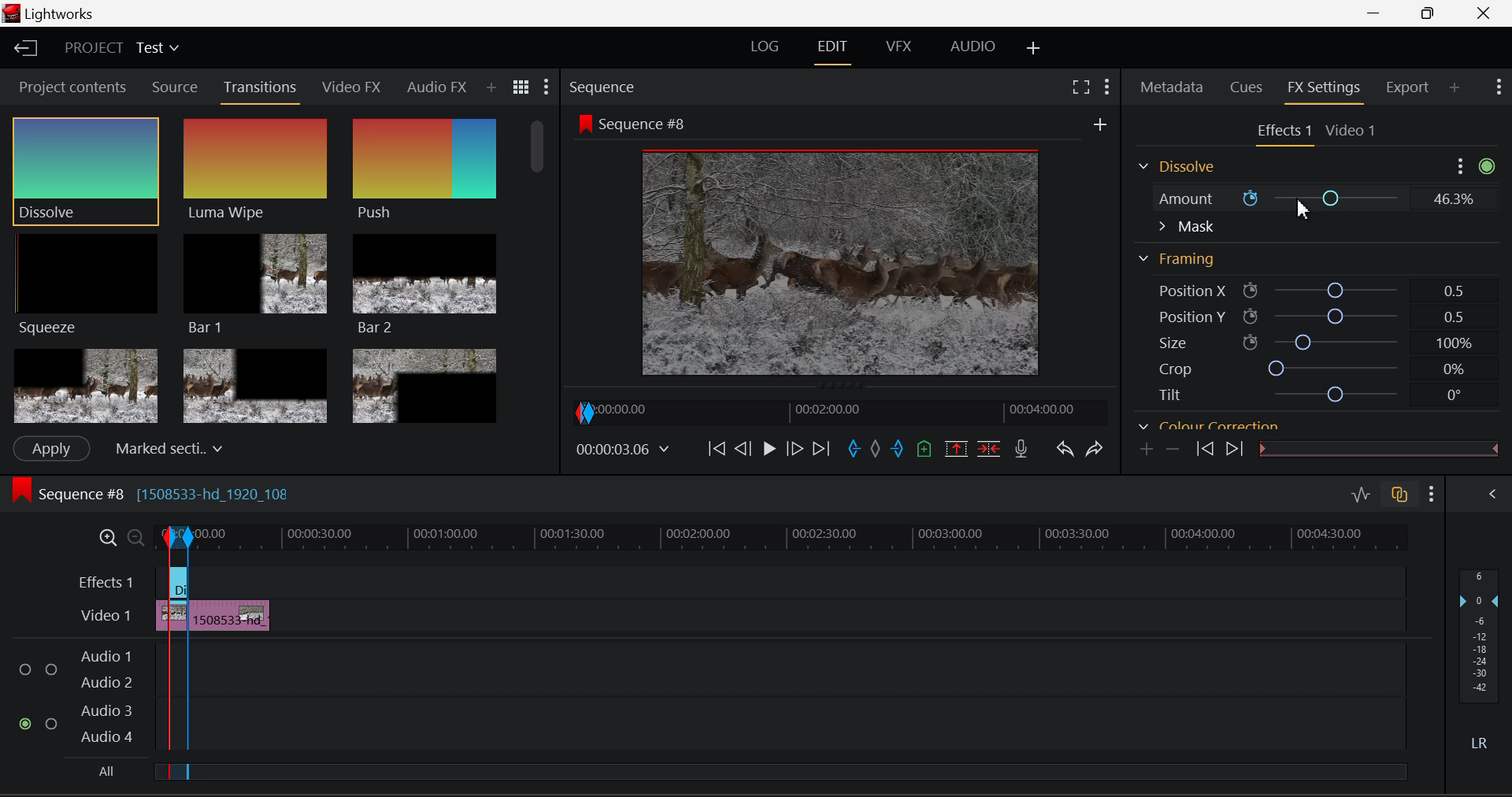 Image resolution: width=1512 pixels, height=797 pixels. Describe the element at coordinates (902, 48) in the screenshot. I see `VFX Layout` at that location.